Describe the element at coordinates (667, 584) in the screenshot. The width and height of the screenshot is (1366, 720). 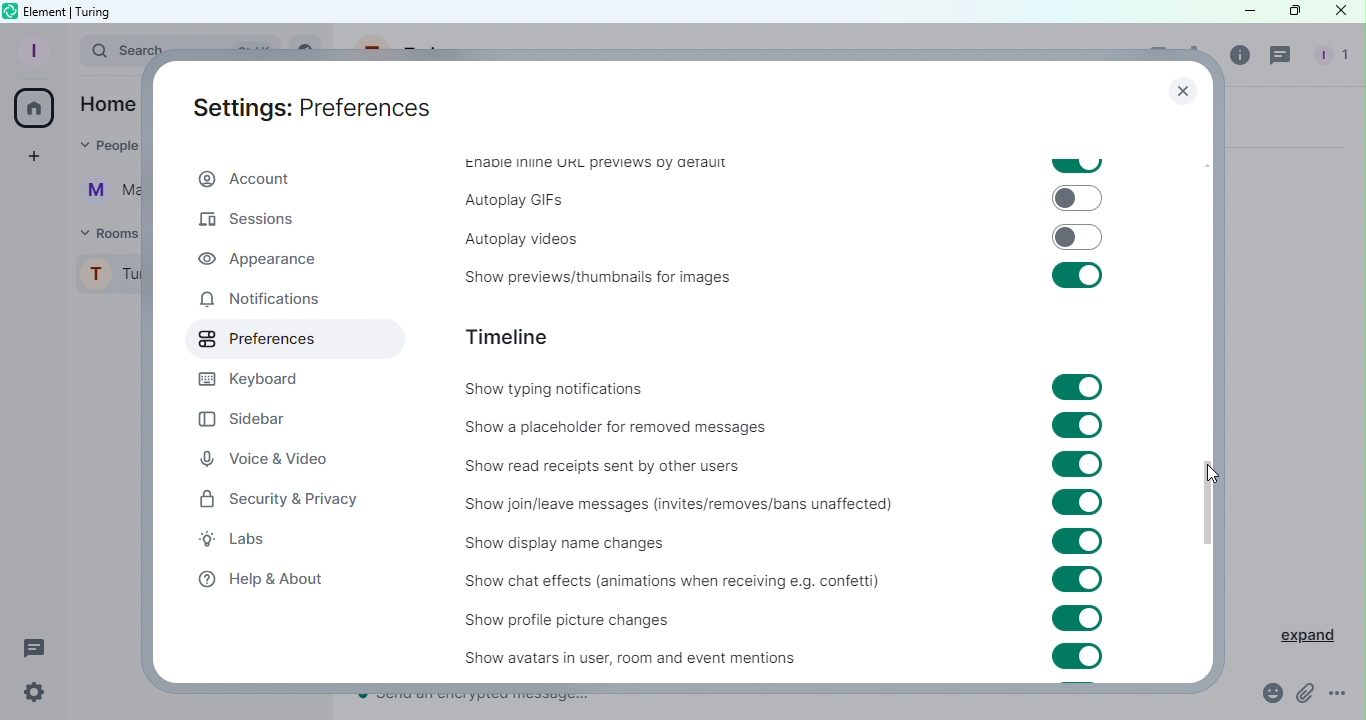
I see `Show chat effects (animations when receiving e.g. confett))` at that location.